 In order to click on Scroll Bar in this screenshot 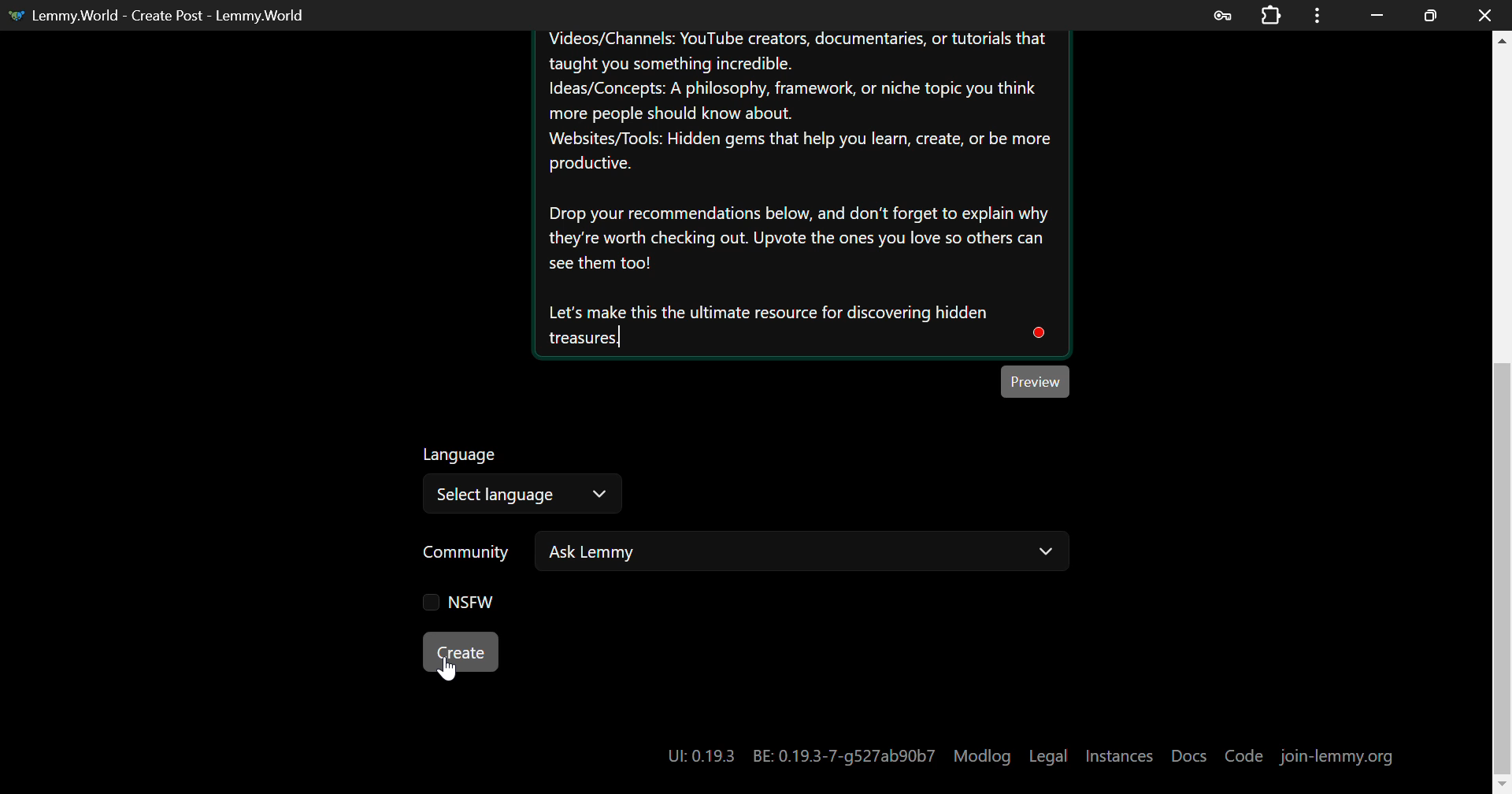, I will do `click(1503, 404)`.